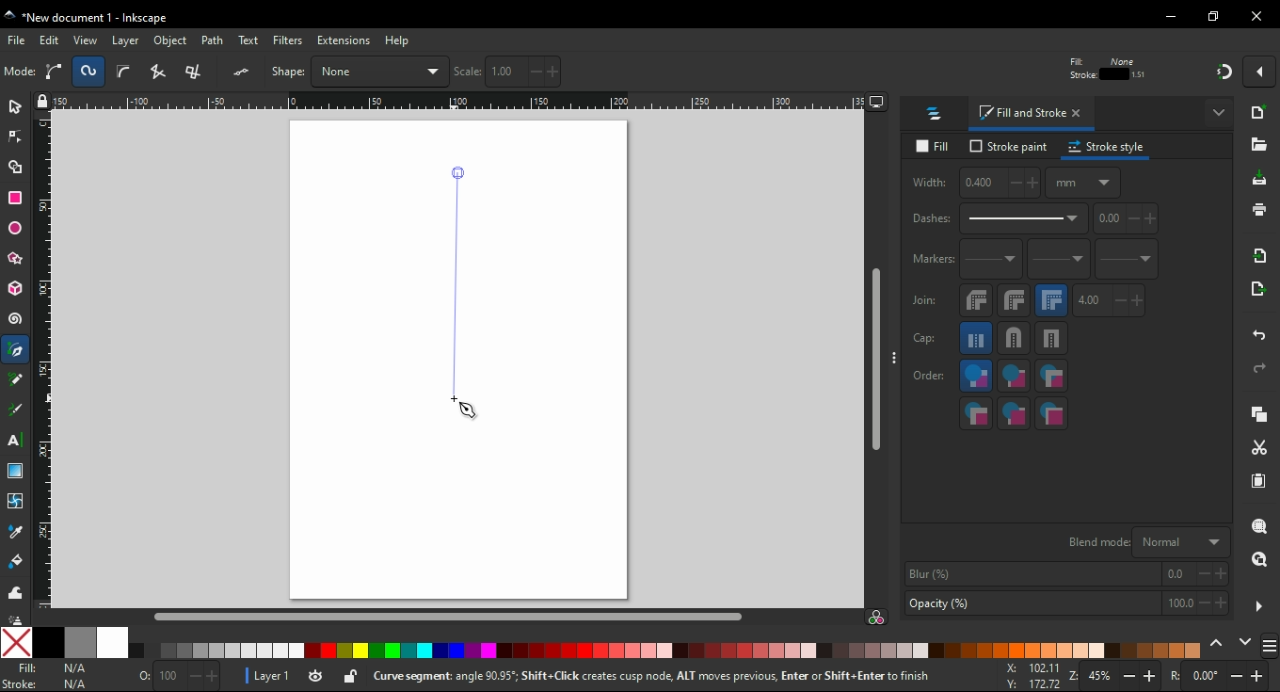  What do you see at coordinates (1052, 414) in the screenshot?
I see `markers,stroke,fill` at bounding box center [1052, 414].